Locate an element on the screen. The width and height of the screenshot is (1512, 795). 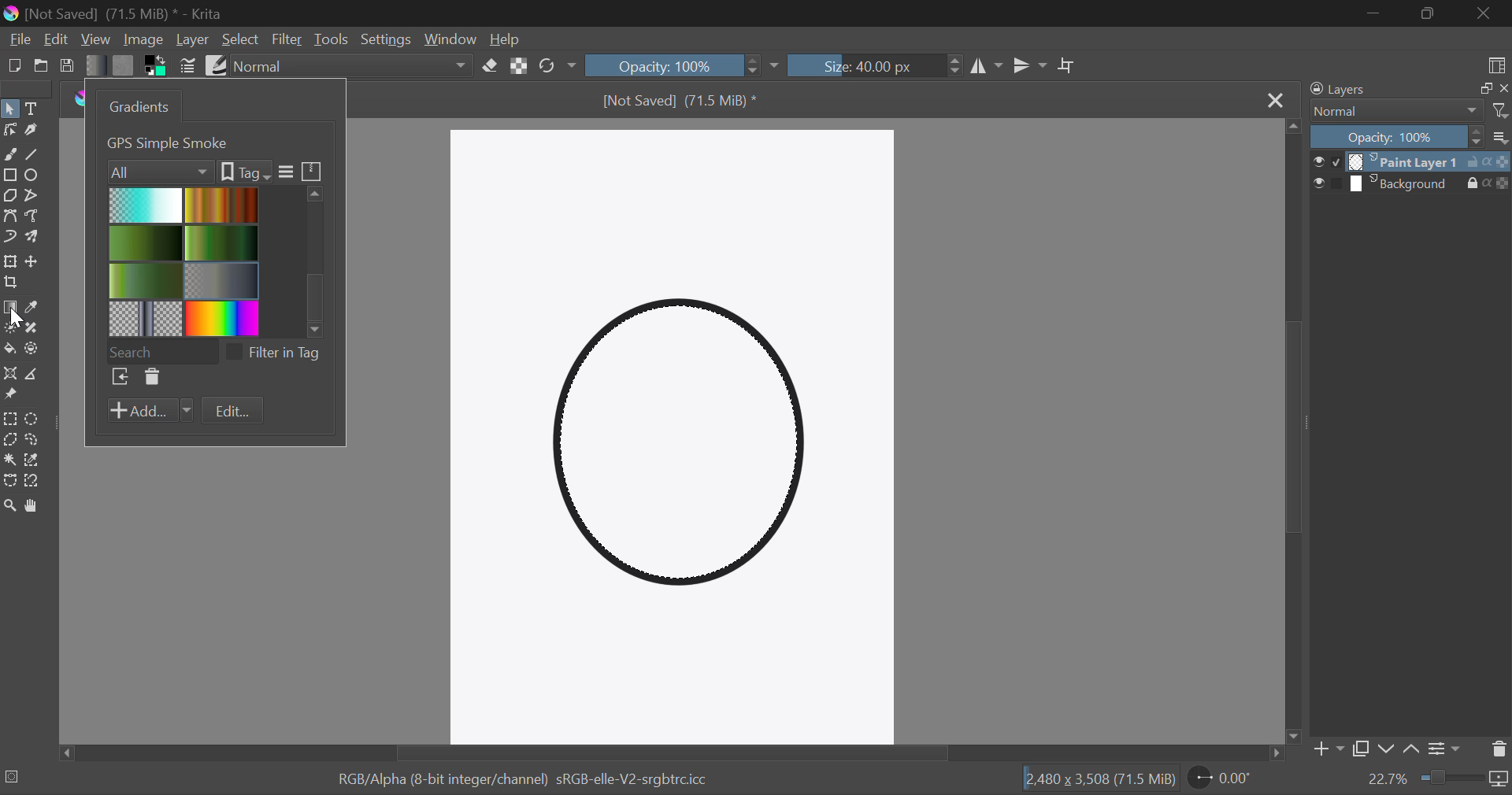
Text is located at coordinates (35, 109).